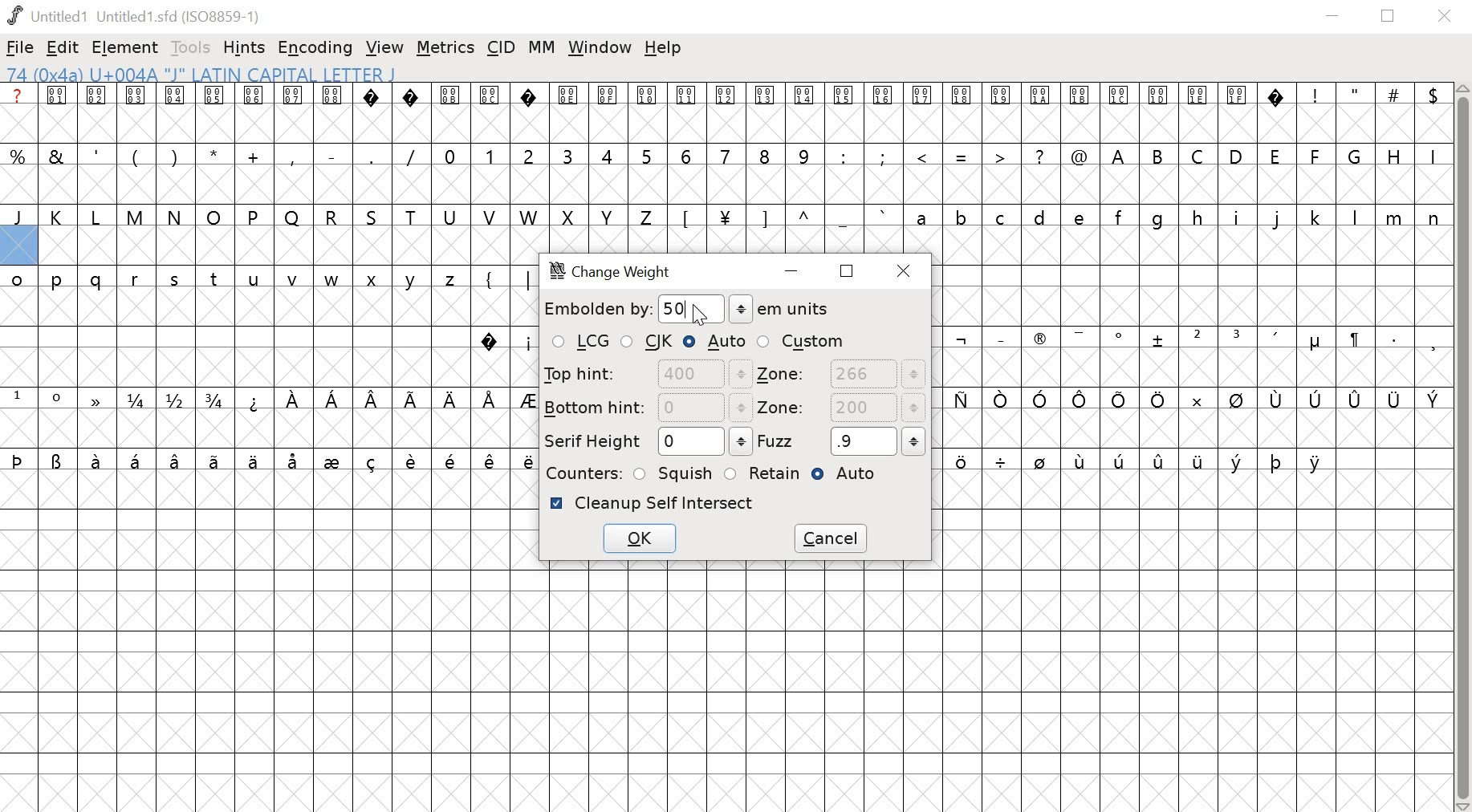 The width and height of the screenshot is (1472, 812). Describe the element at coordinates (1176, 217) in the screenshot. I see `lower case letter` at that location.